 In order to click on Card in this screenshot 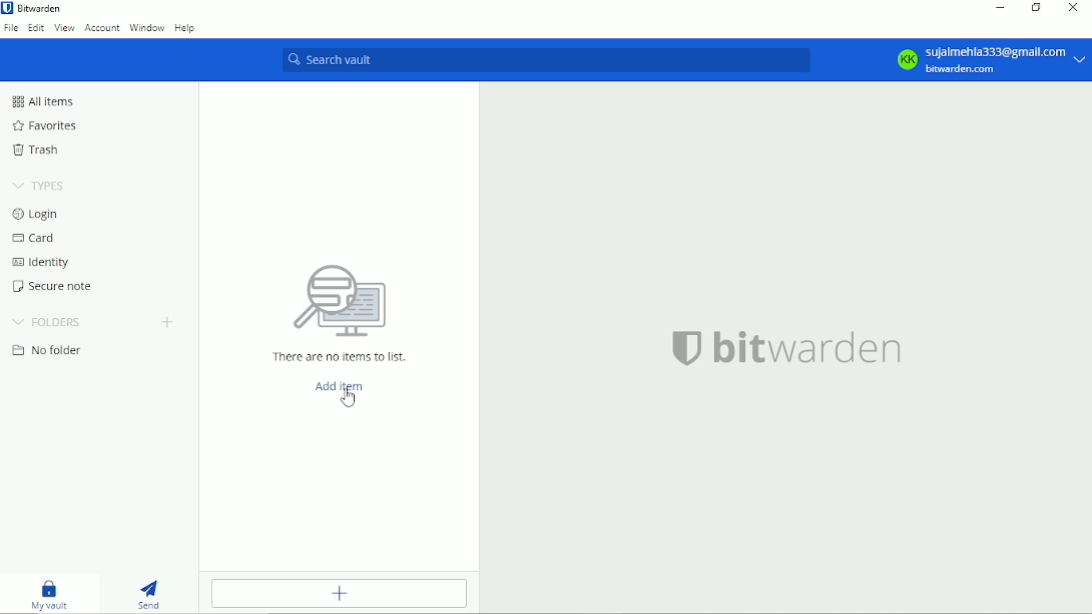, I will do `click(37, 237)`.